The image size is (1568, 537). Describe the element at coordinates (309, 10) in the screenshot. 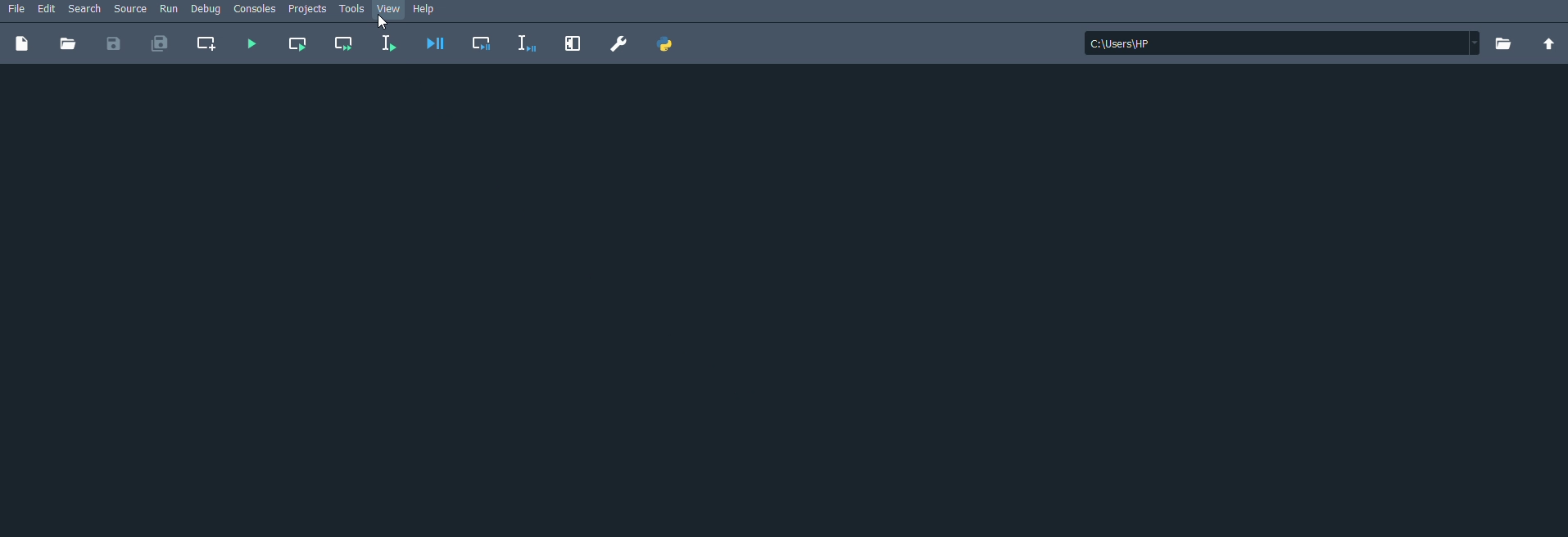

I see `Projects` at that location.